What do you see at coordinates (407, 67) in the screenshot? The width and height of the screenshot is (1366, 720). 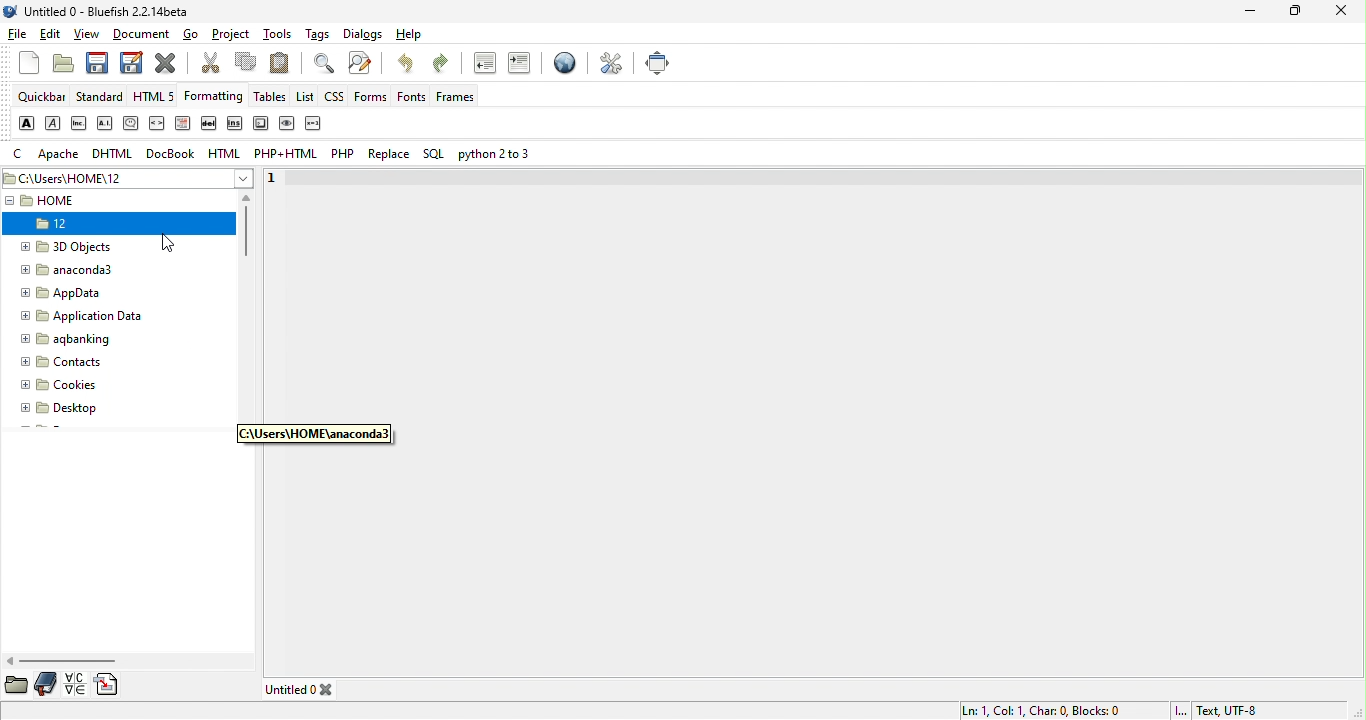 I see `undo` at bounding box center [407, 67].